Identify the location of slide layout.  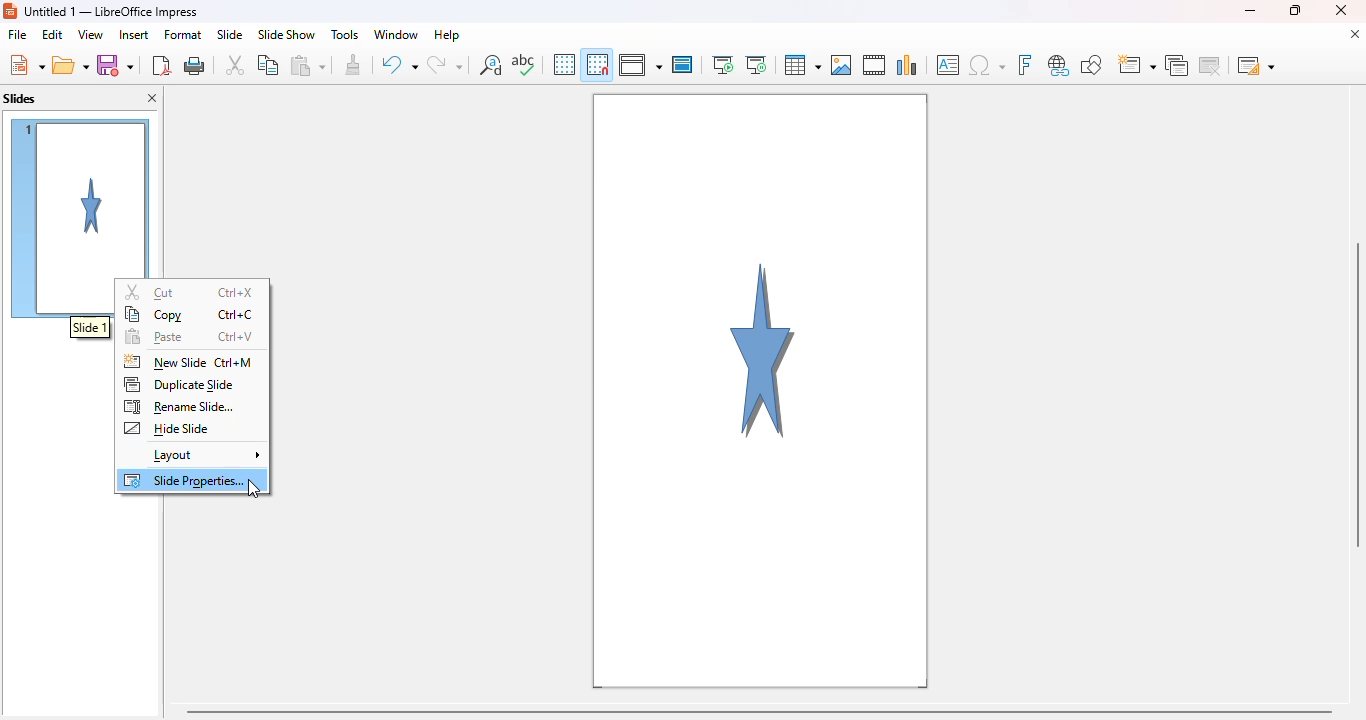
(1255, 65).